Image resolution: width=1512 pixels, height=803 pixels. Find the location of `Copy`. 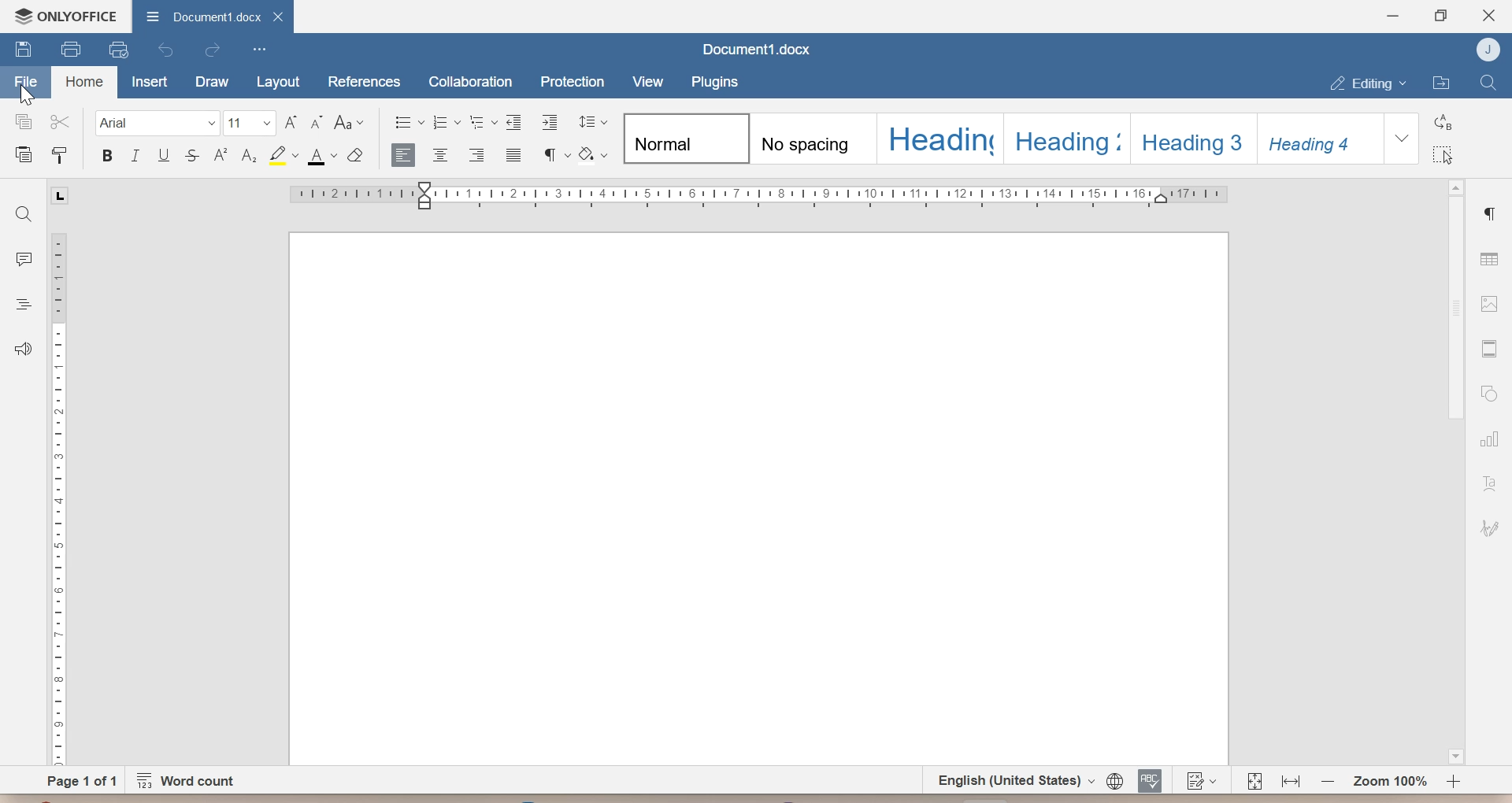

Copy is located at coordinates (18, 121).